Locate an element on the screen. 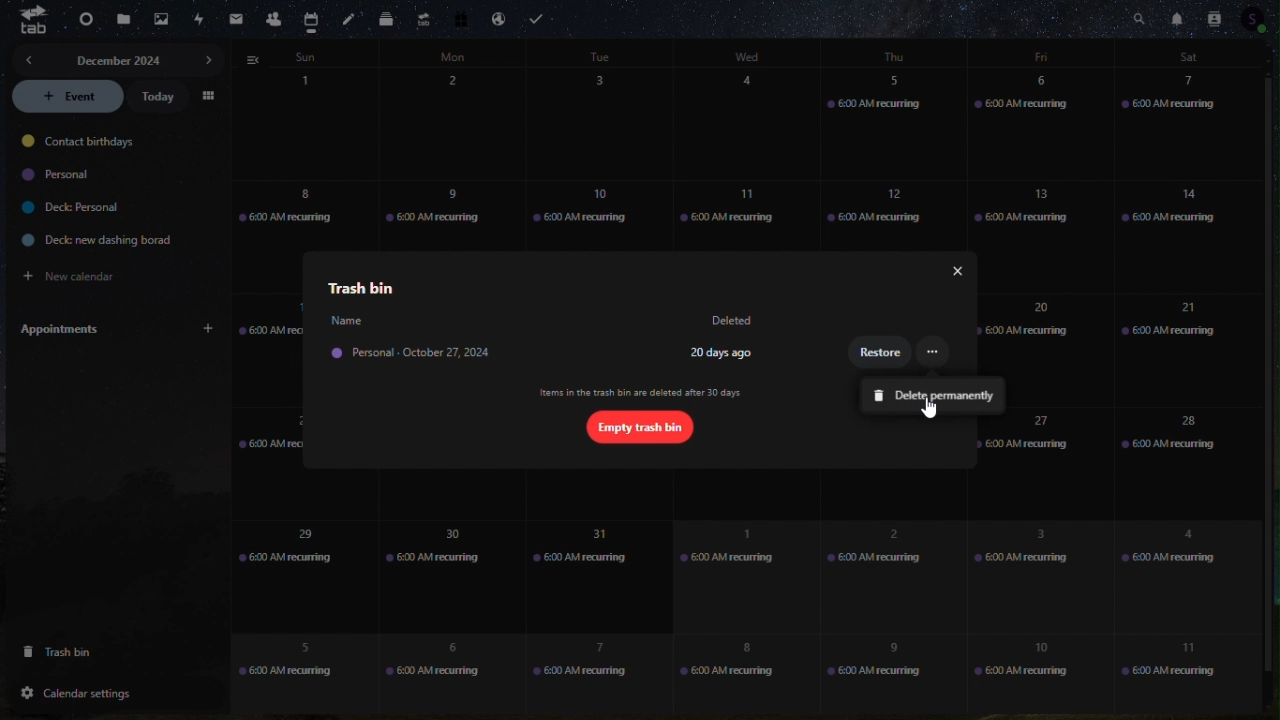 This screenshot has height=720, width=1280. Delete permanently is located at coordinates (932, 393).